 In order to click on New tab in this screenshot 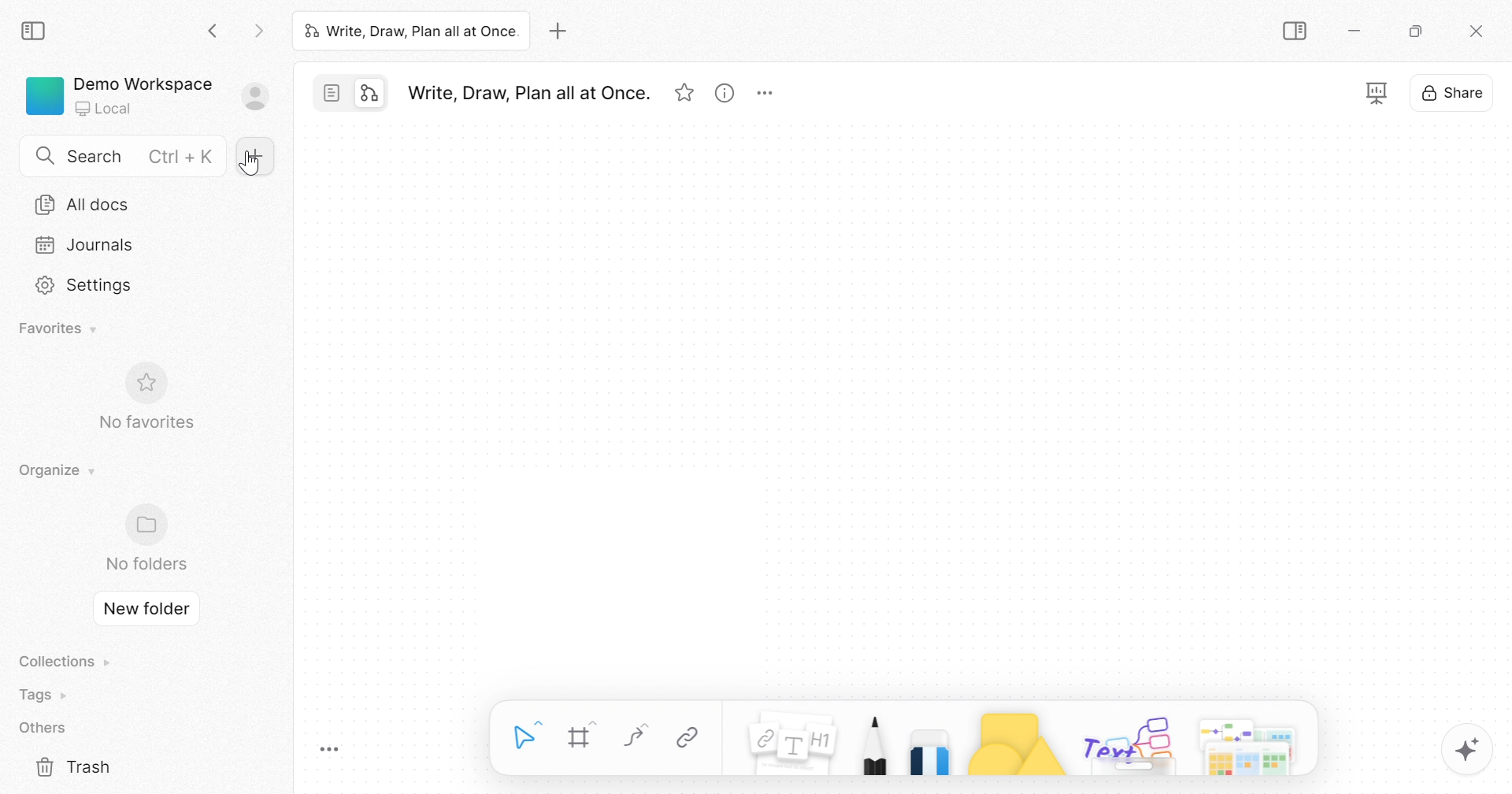, I will do `click(562, 31)`.